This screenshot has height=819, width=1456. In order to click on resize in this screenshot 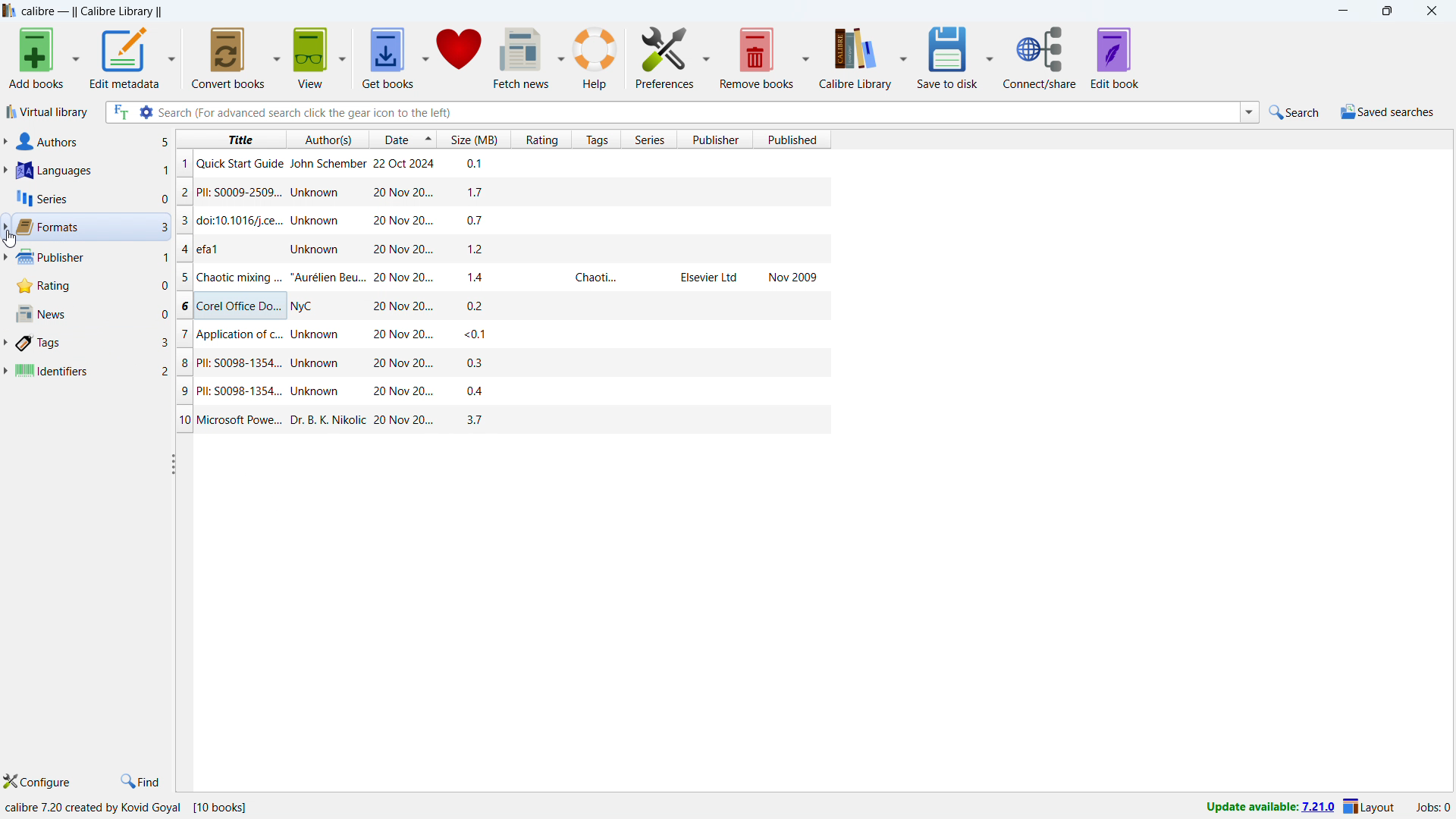, I will do `click(171, 463)`.